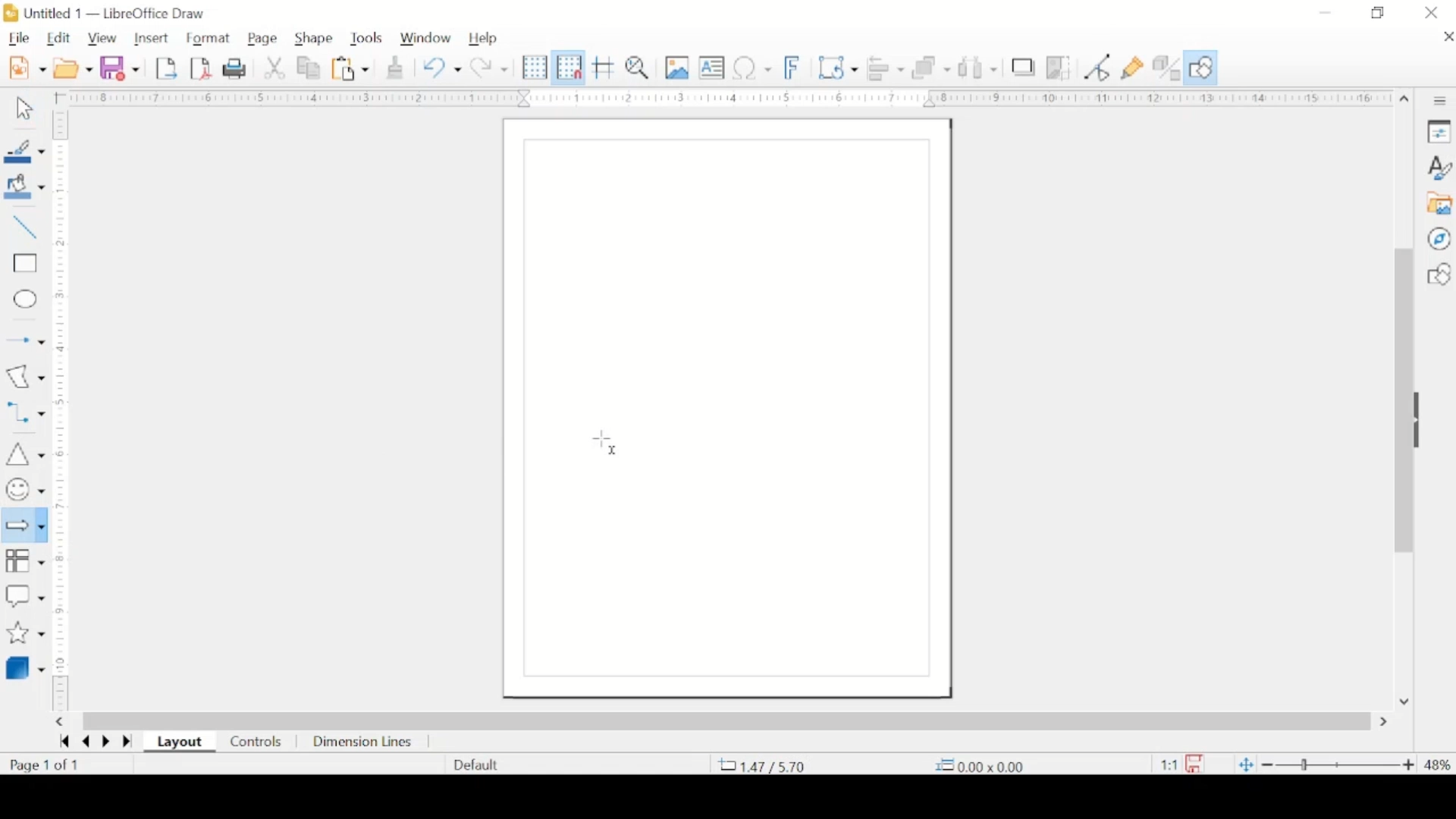 Image resolution: width=1456 pixels, height=819 pixels. I want to click on helplines while moving, so click(604, 67).